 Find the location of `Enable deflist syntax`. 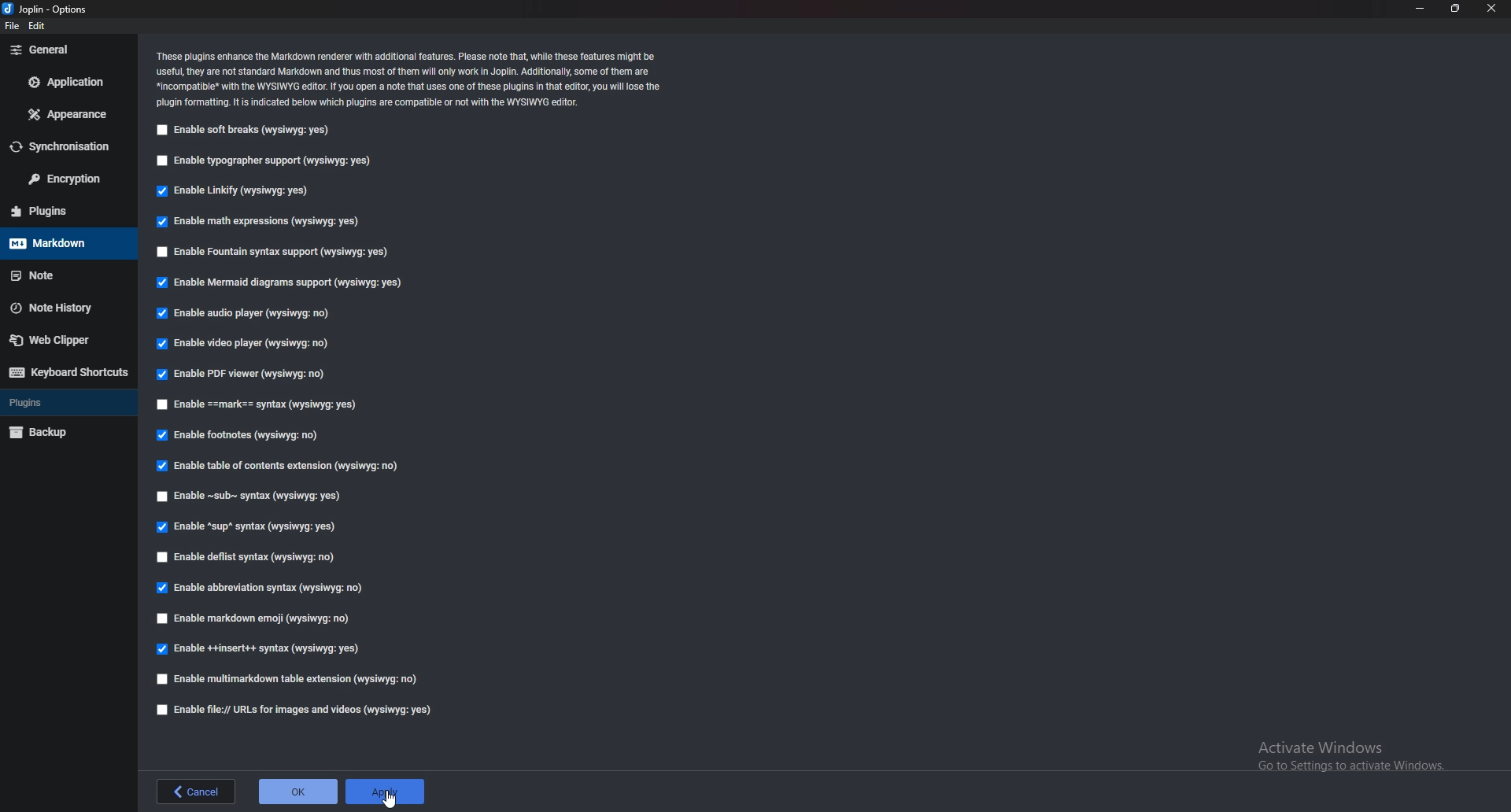

Enable deflist syntax is located at coordinates (254, 555).